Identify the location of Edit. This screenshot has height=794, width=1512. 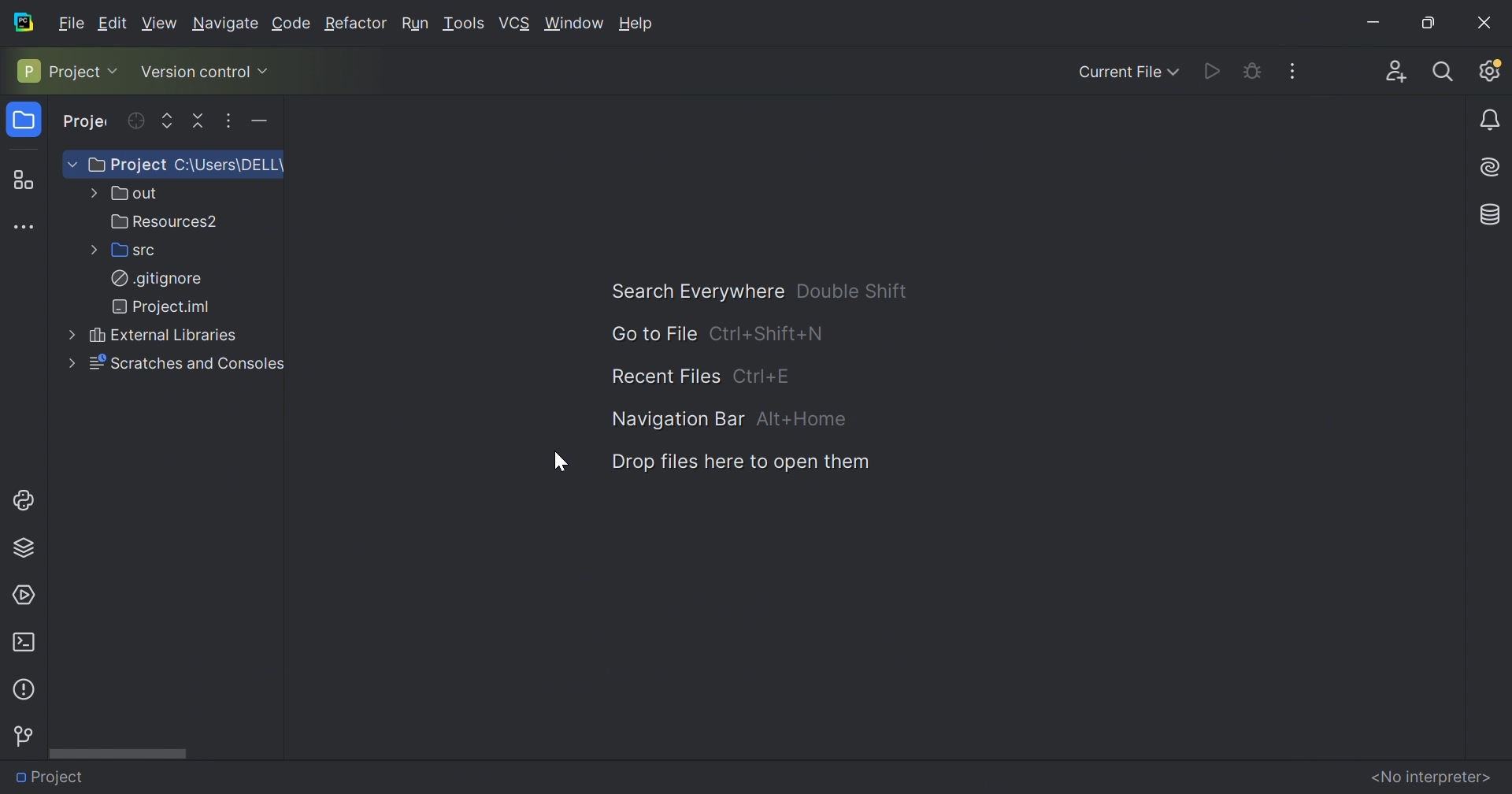
(116, 23).